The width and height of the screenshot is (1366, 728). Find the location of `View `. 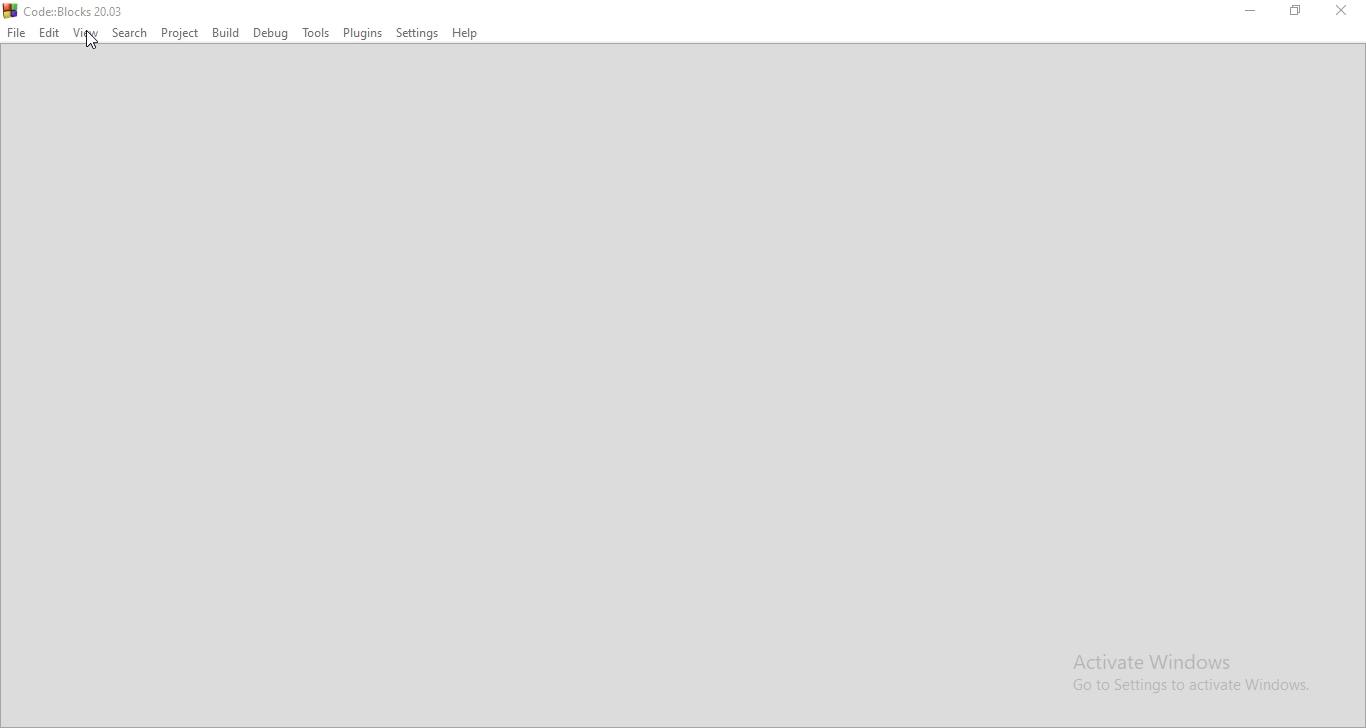

View  is located at coordinates (86, 34).